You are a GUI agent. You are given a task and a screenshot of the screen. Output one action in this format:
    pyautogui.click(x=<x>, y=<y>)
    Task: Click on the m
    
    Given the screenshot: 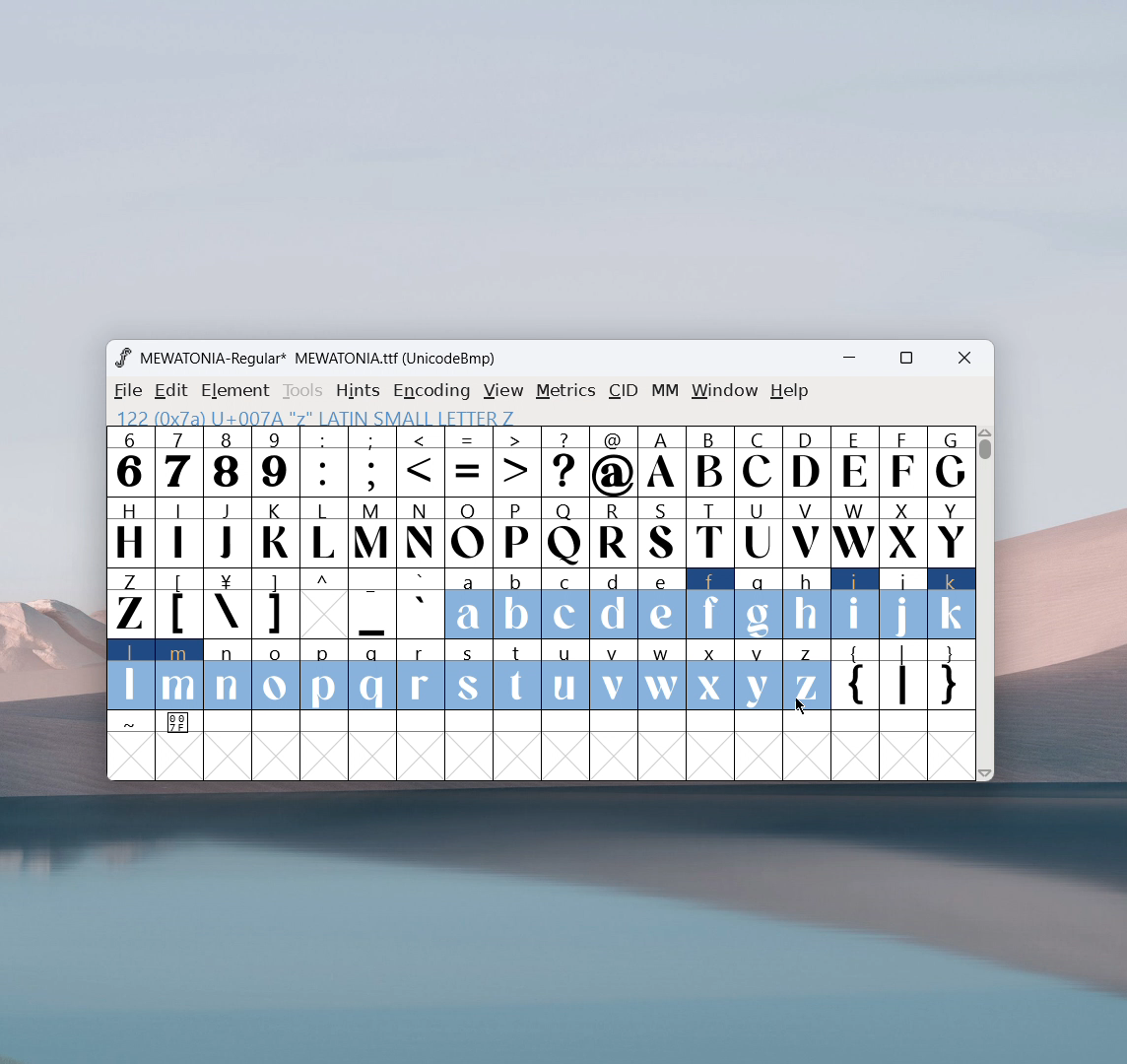 What is the action you would take?
    pyautogui.click(x=179, y=675)
    